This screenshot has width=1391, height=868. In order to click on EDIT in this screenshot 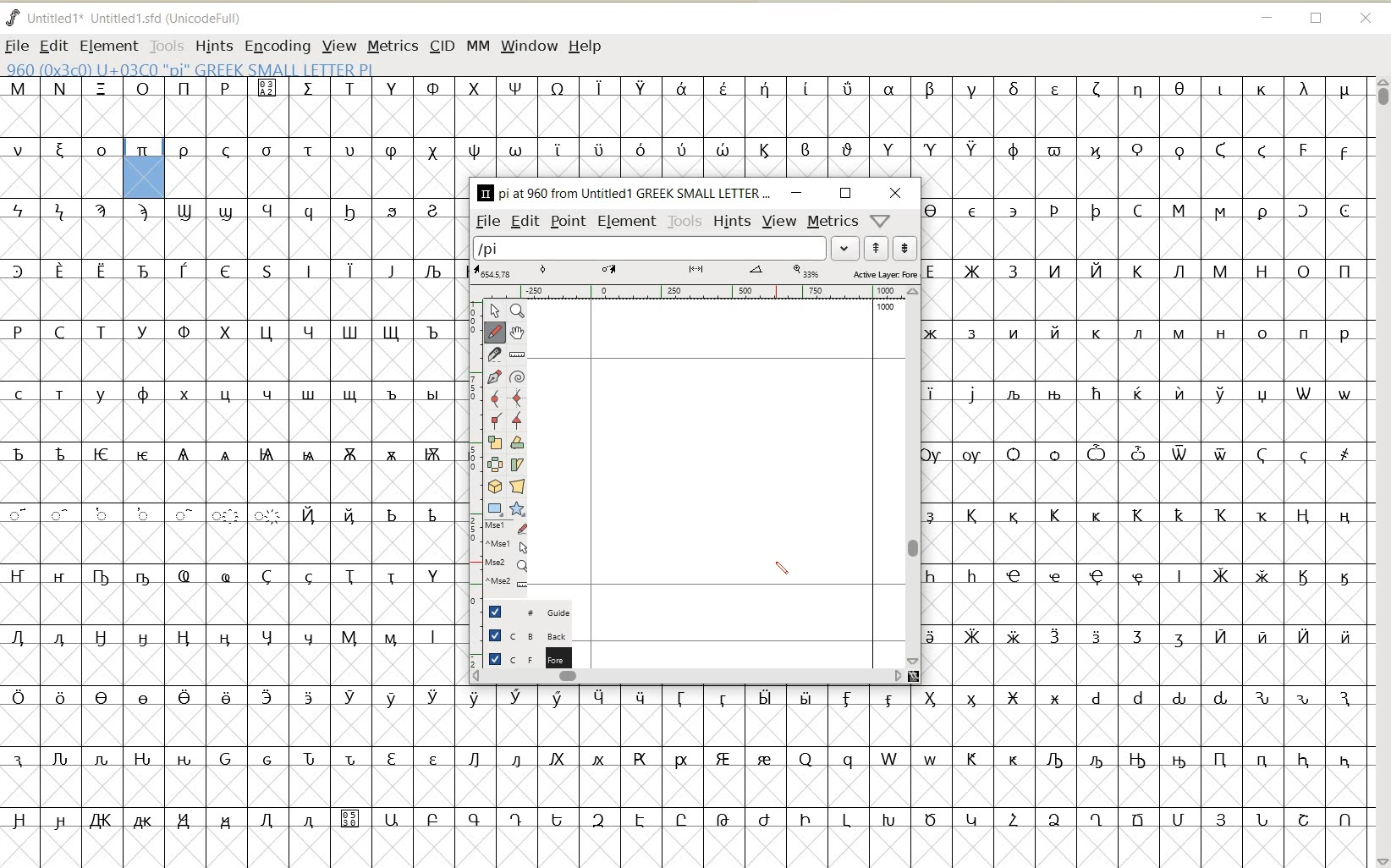, I will do `click(525, 222)`.